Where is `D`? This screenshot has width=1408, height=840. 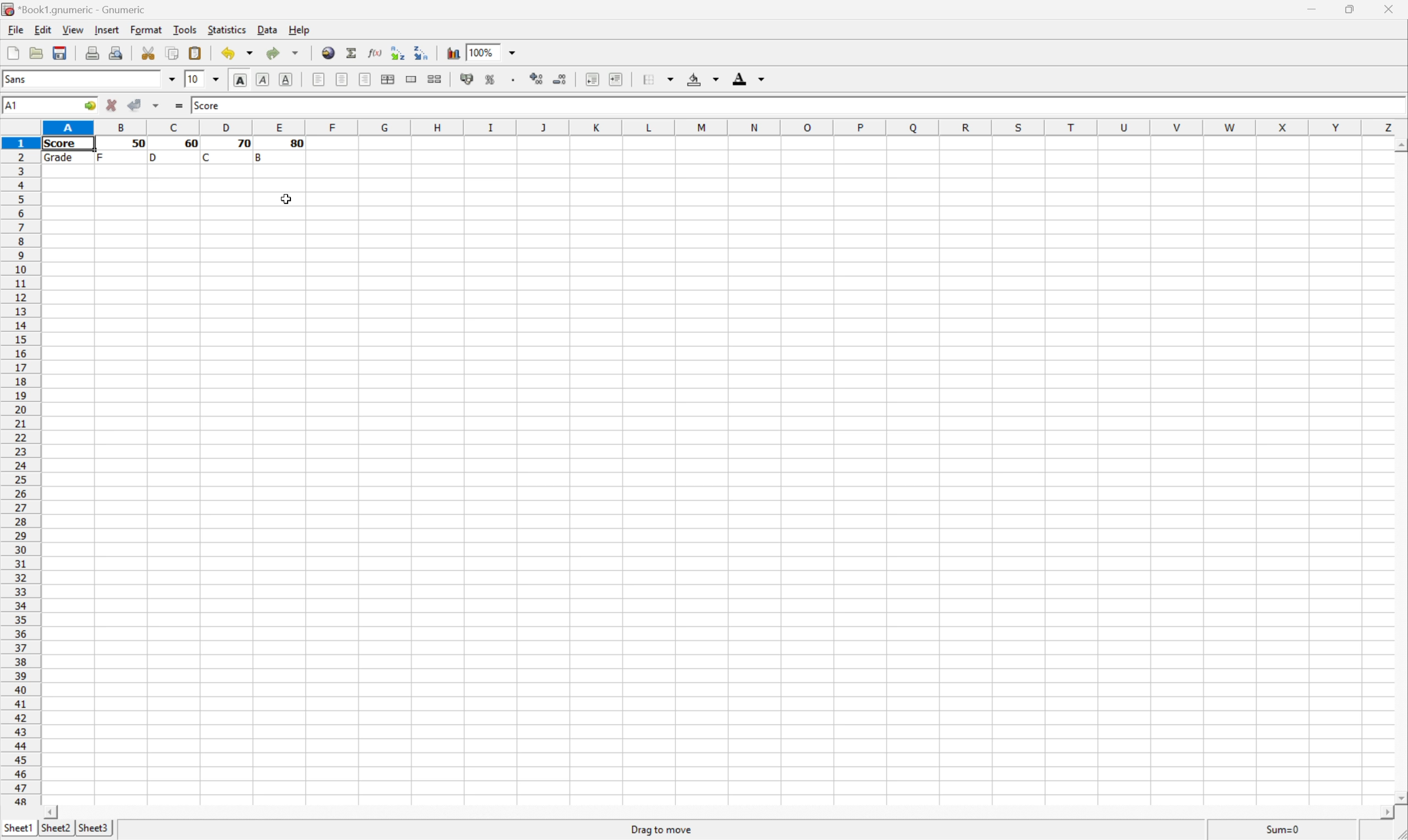 D is located at coordinates (155, 157).